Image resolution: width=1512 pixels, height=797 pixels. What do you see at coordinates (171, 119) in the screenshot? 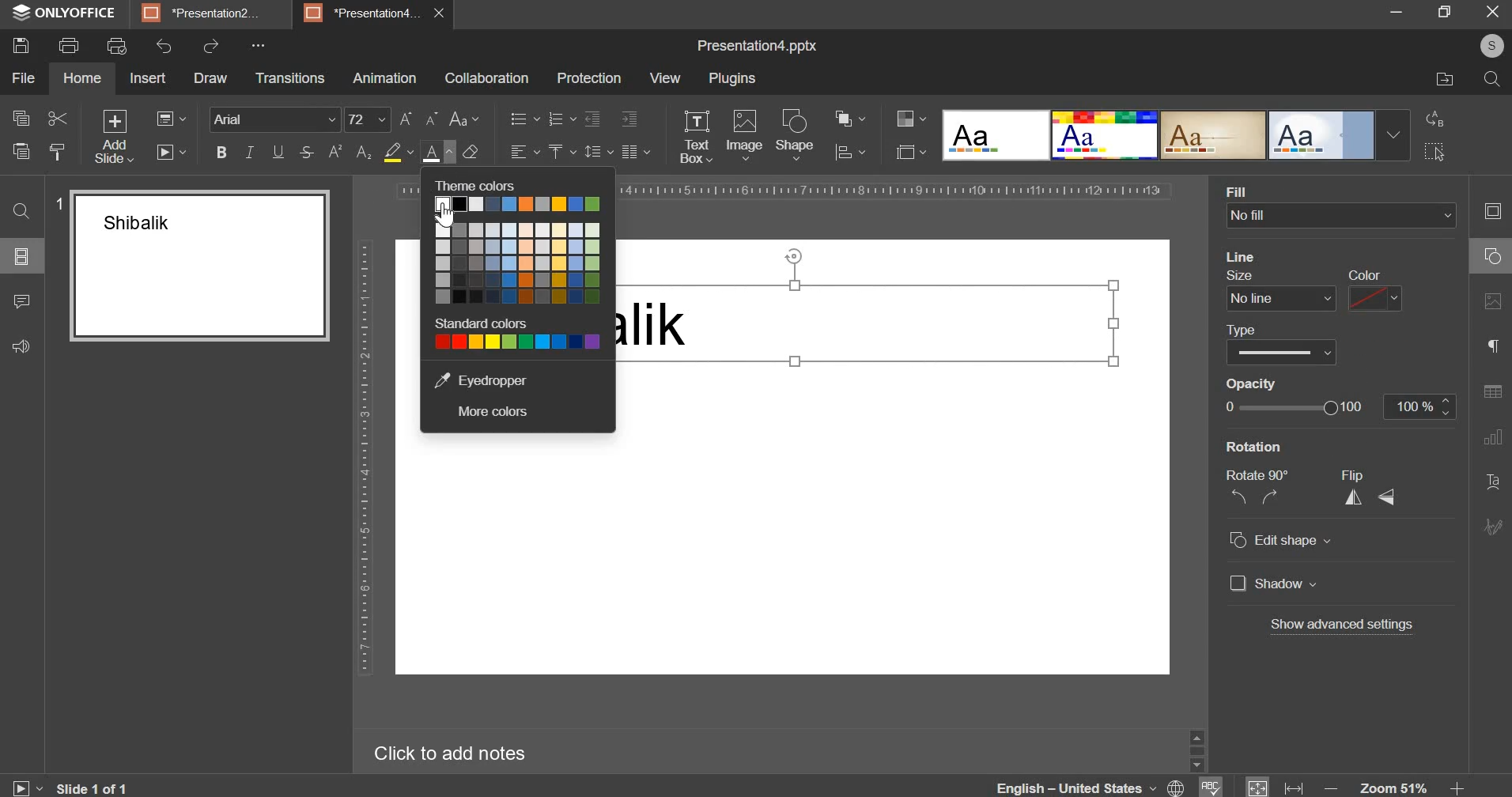
I see `change slide layout` at bounding box center [171, 119].